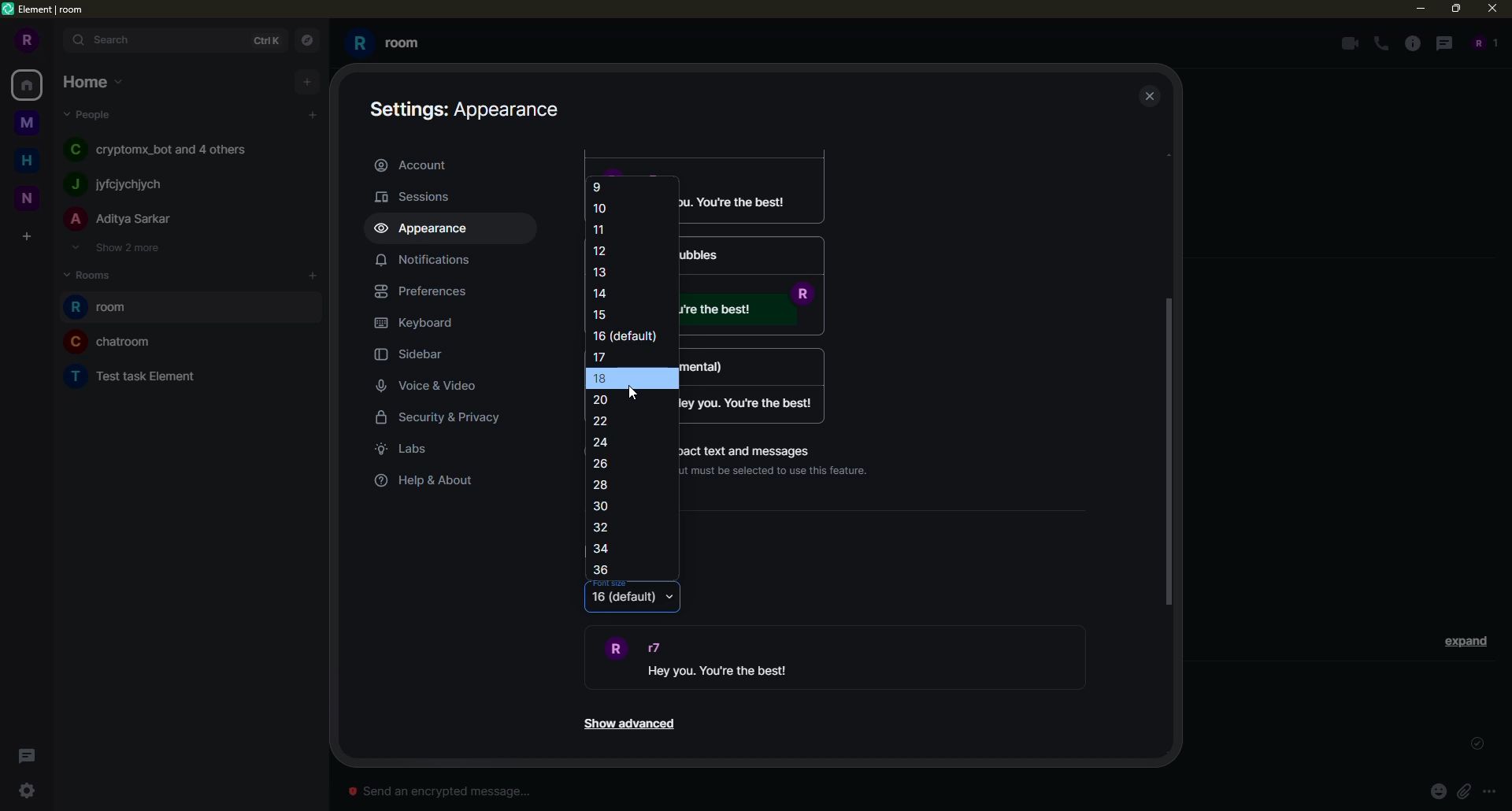  What do you see at coordinates (1457, 9) in the screenshot?
I see `maximize` at bounding box center [1457, 9].